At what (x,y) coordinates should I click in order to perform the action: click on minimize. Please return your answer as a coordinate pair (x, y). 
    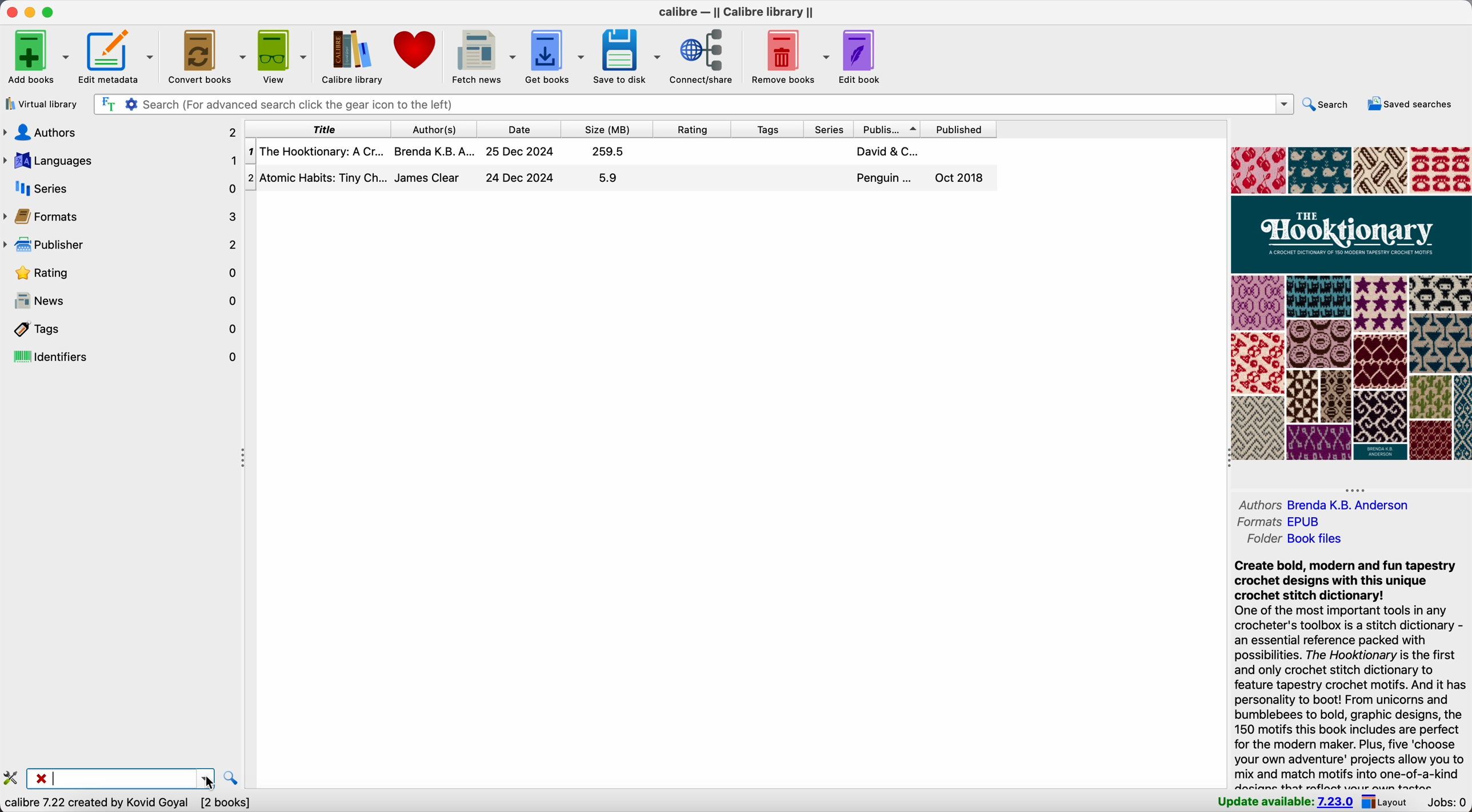
    Looking at the image, I should click on (30, 11).